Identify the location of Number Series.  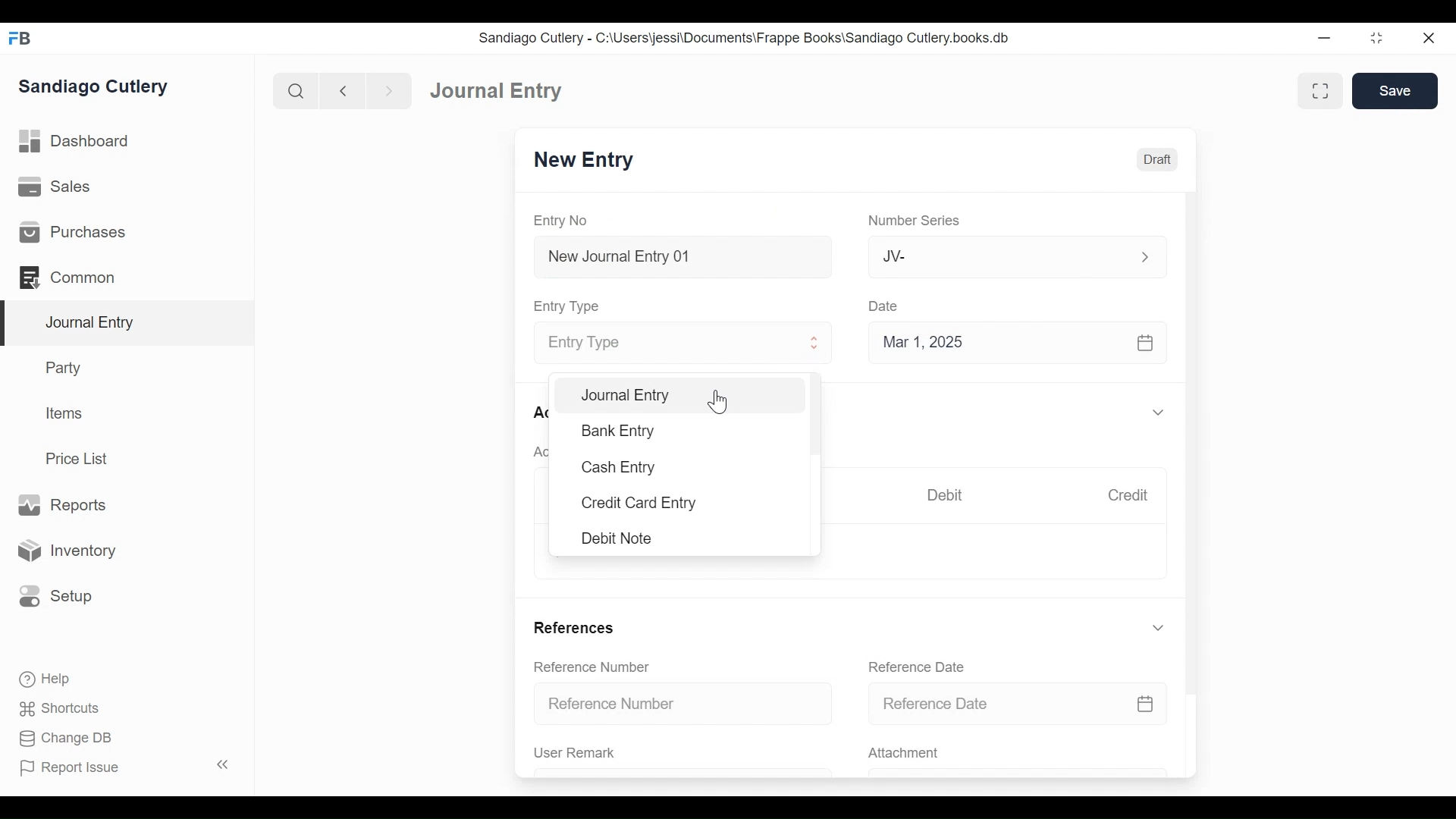
(912, 221).